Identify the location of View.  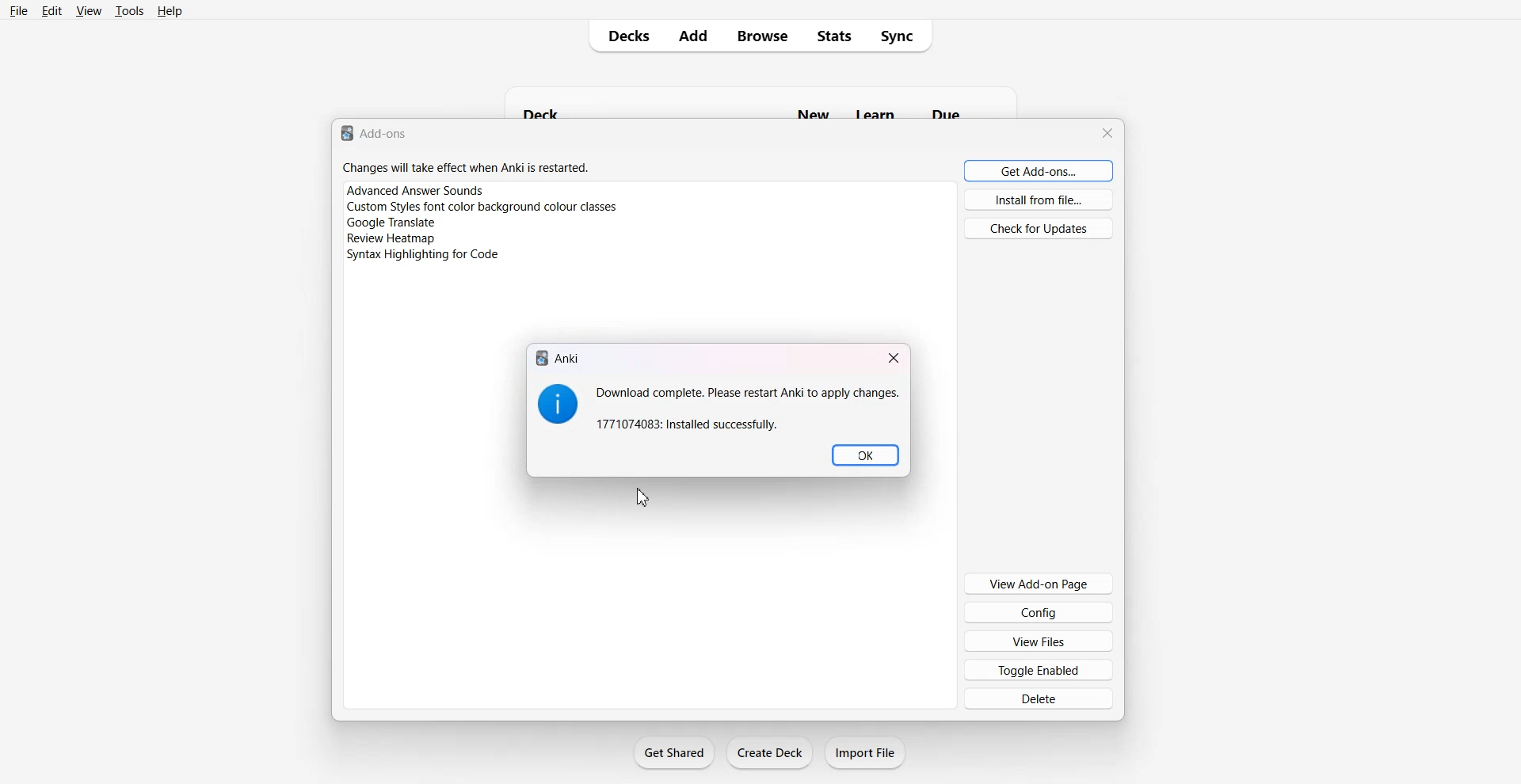
(88, 11).